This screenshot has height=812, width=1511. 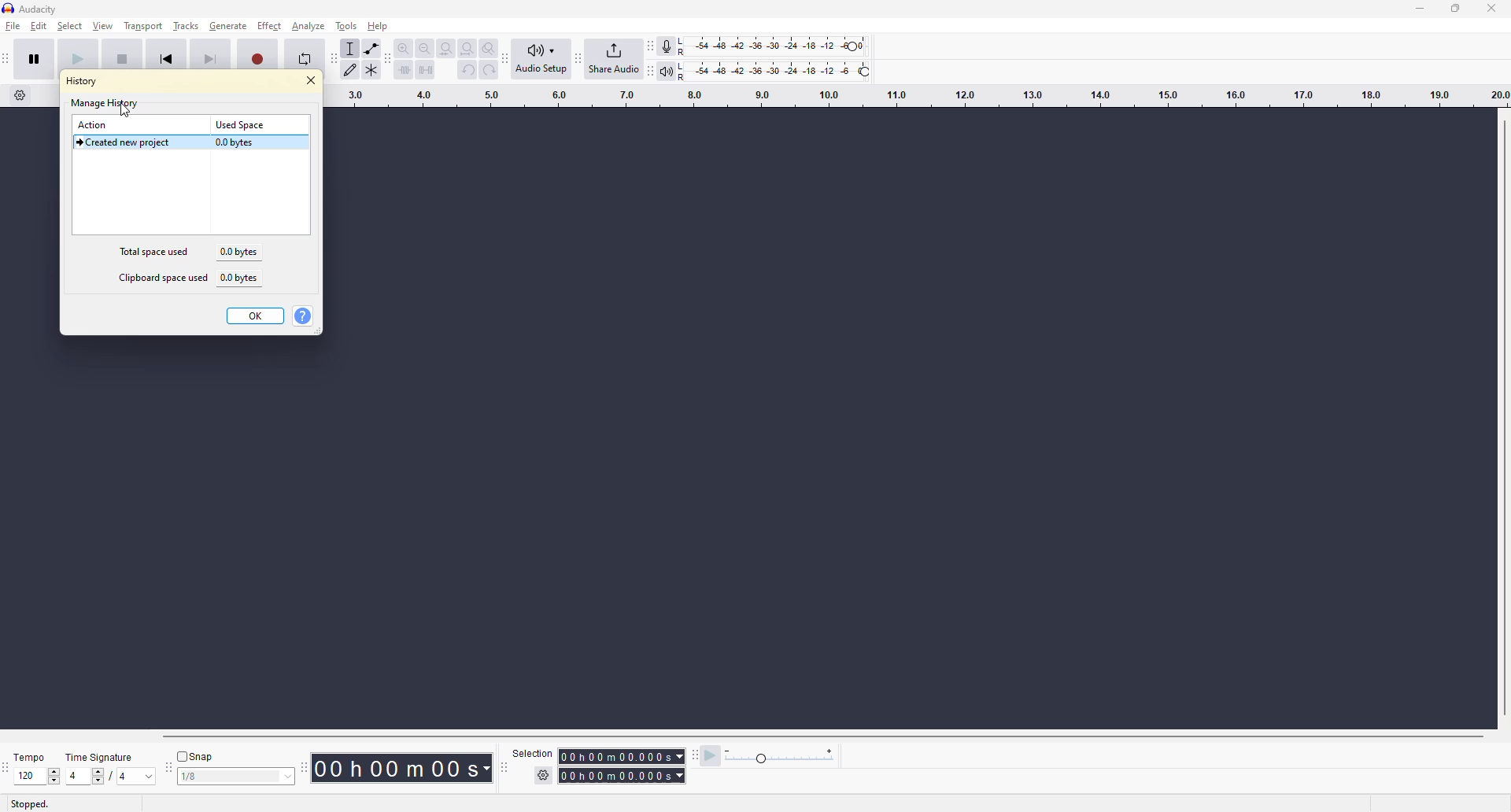 I want to click on share audio, so click(x=612, y=59).